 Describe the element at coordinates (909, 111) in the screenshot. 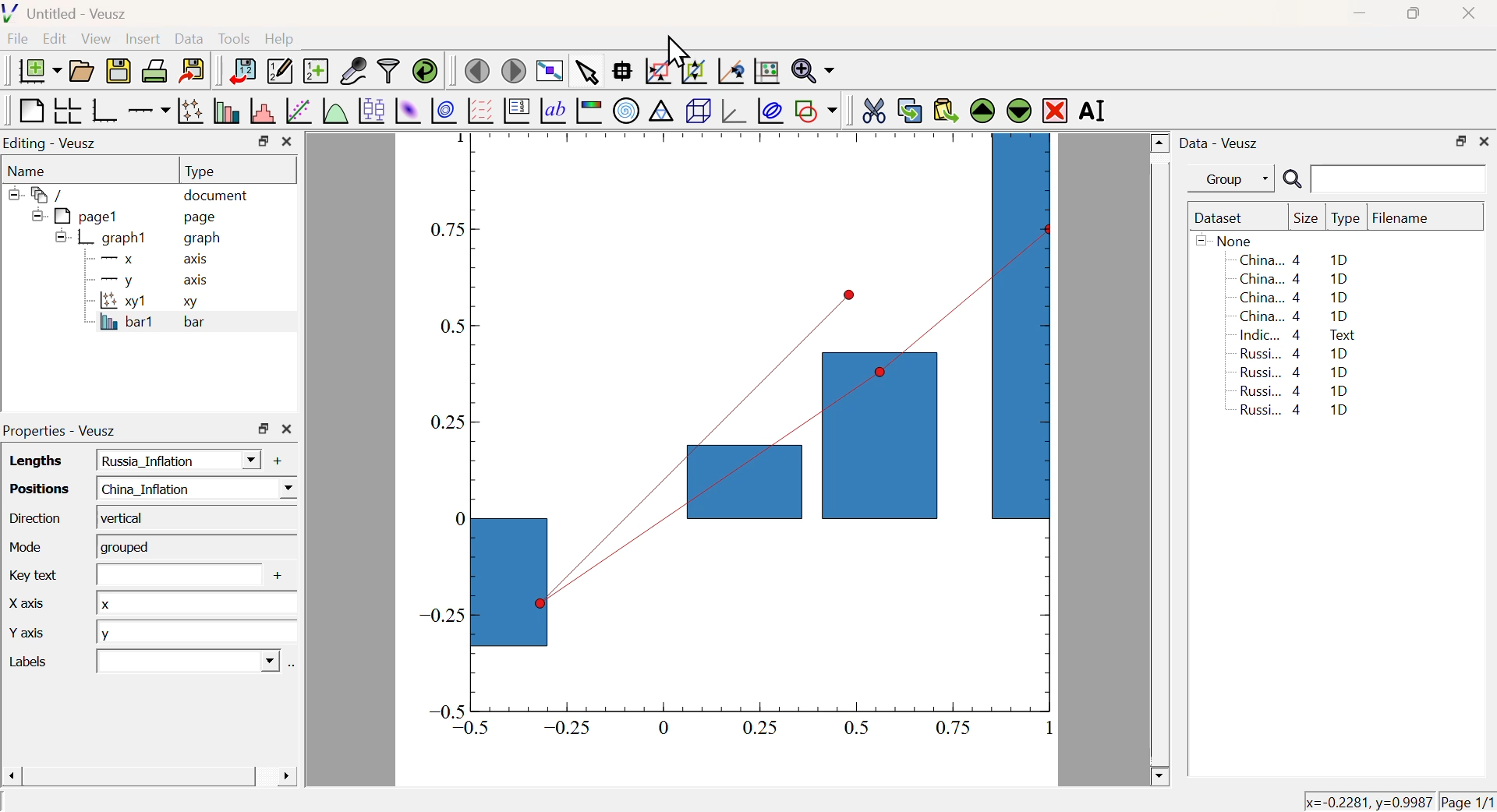

I see `Copy` at that location.